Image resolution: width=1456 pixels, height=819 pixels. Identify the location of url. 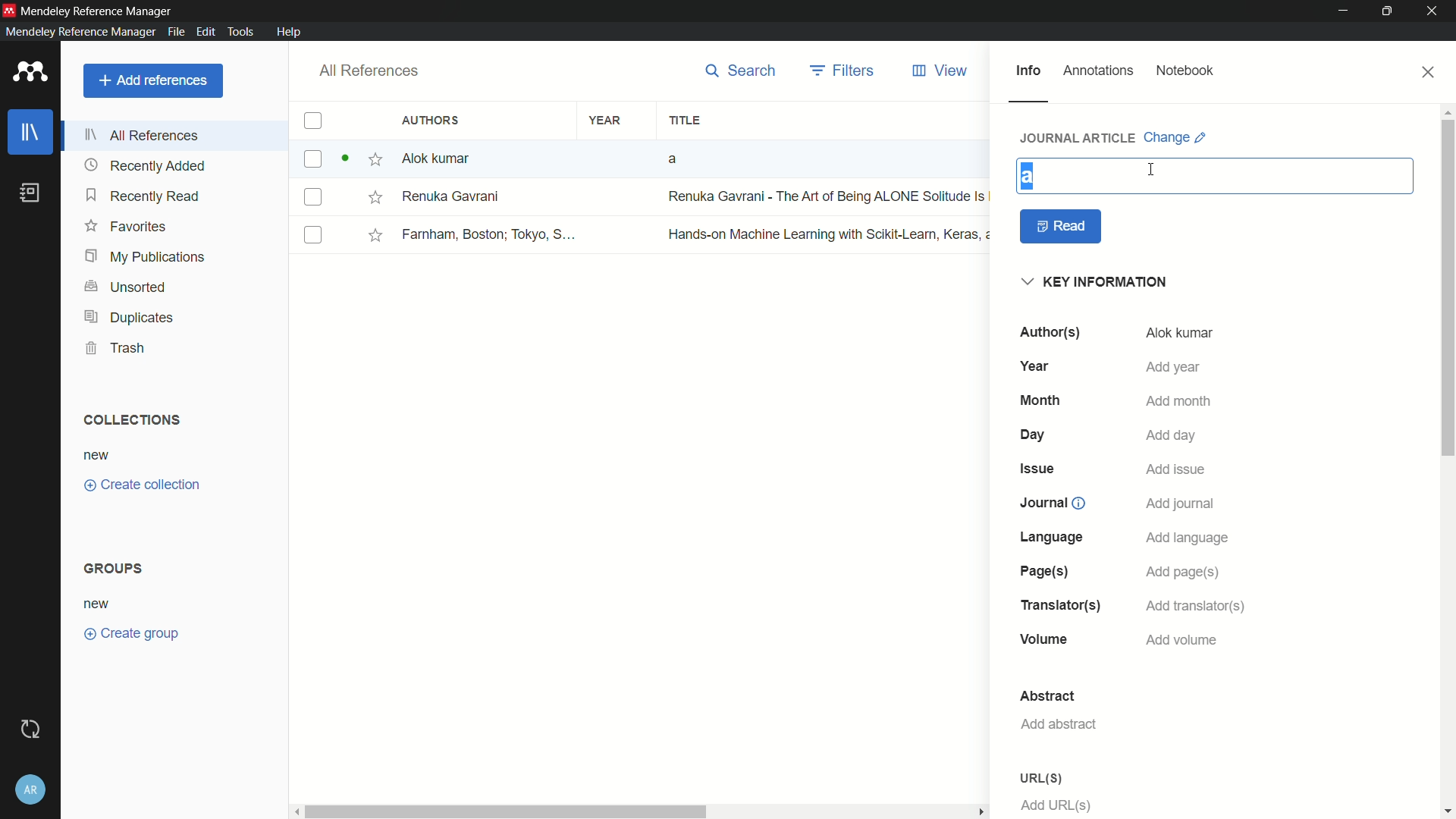
(1040, 778).